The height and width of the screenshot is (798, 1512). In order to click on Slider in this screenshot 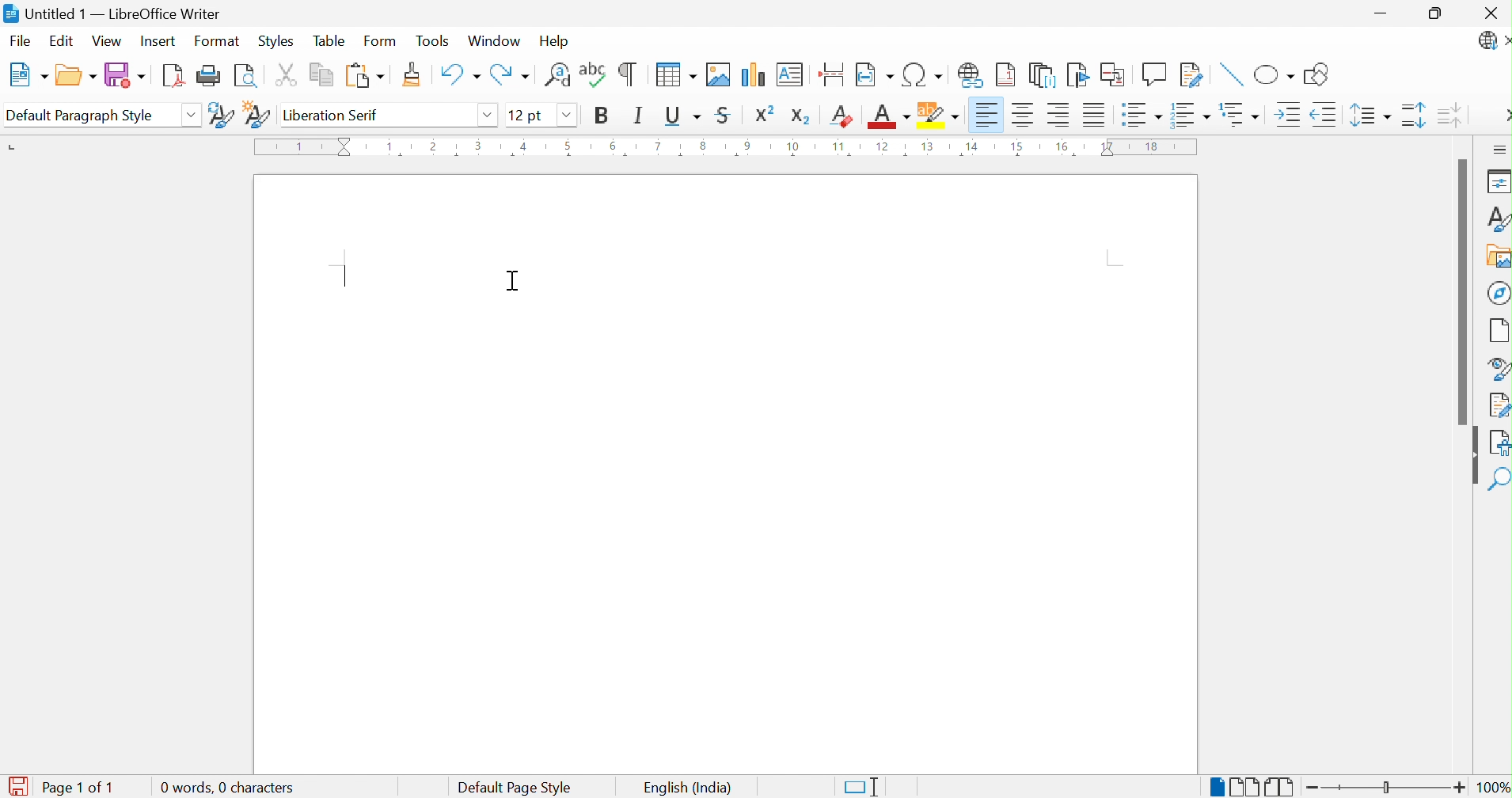, I will do `click(1386, 788)`.